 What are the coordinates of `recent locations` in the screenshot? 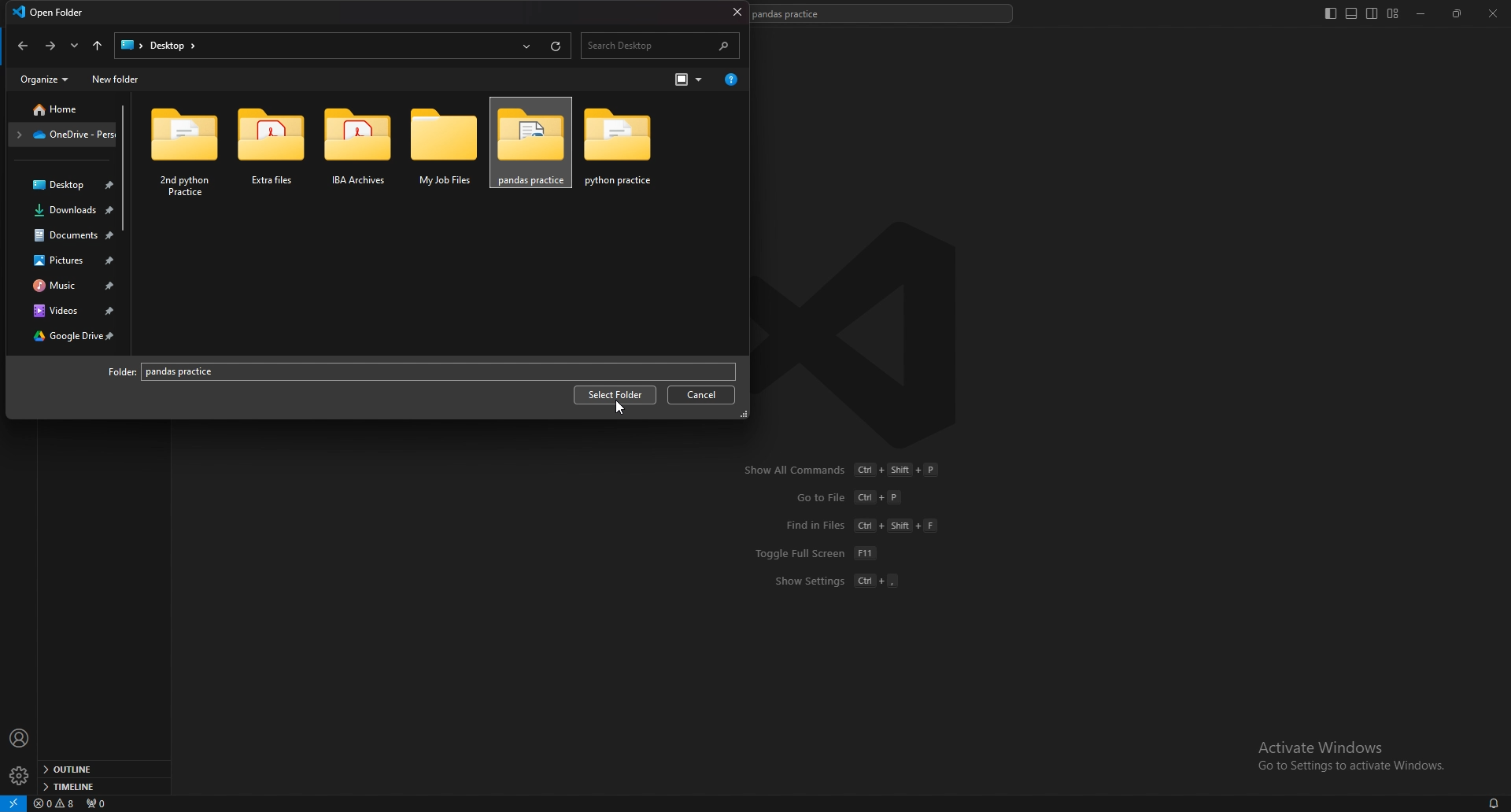 It's located at (74, 45).